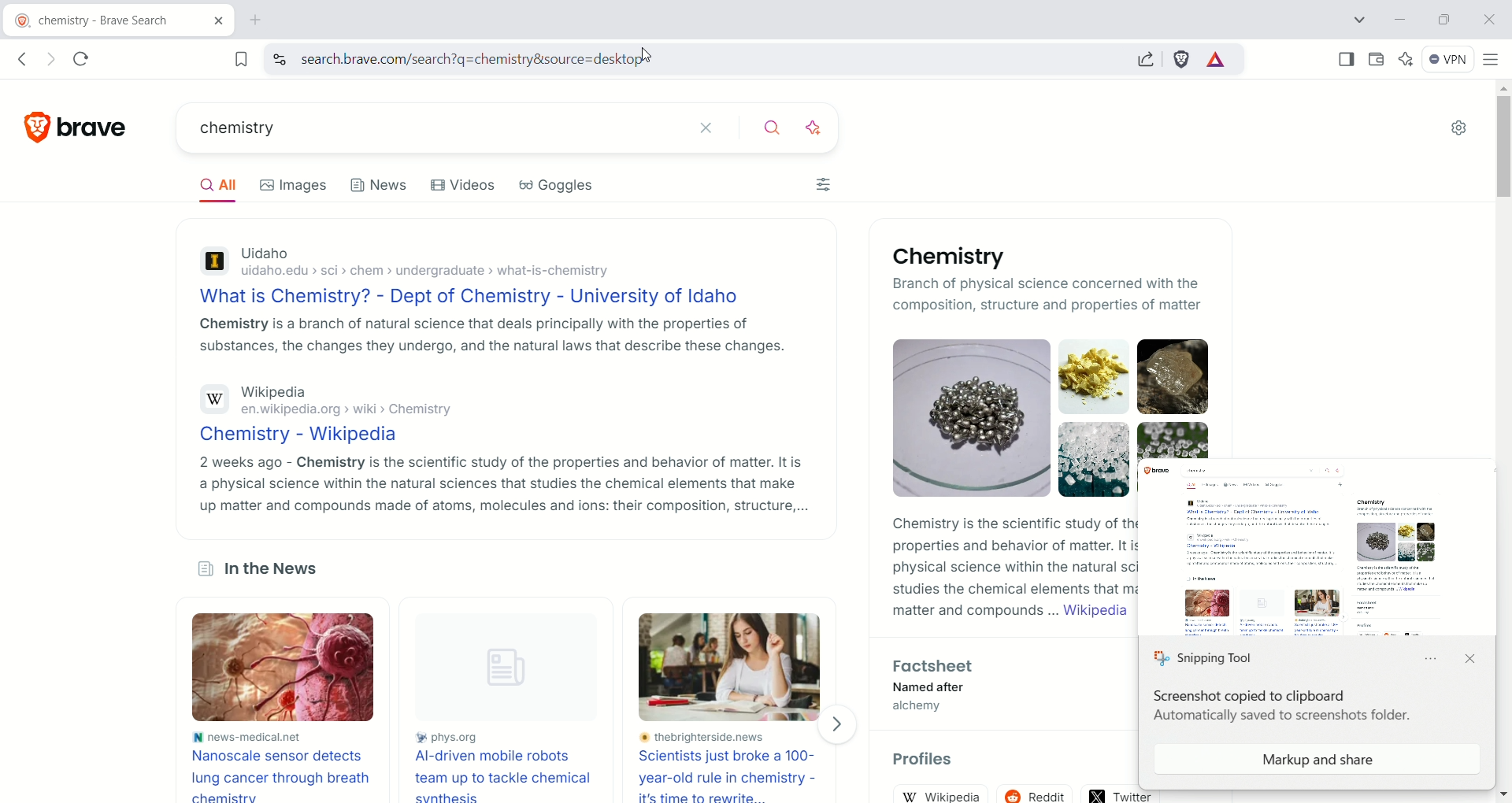  I want to click on brave logo, so click(39, 124).